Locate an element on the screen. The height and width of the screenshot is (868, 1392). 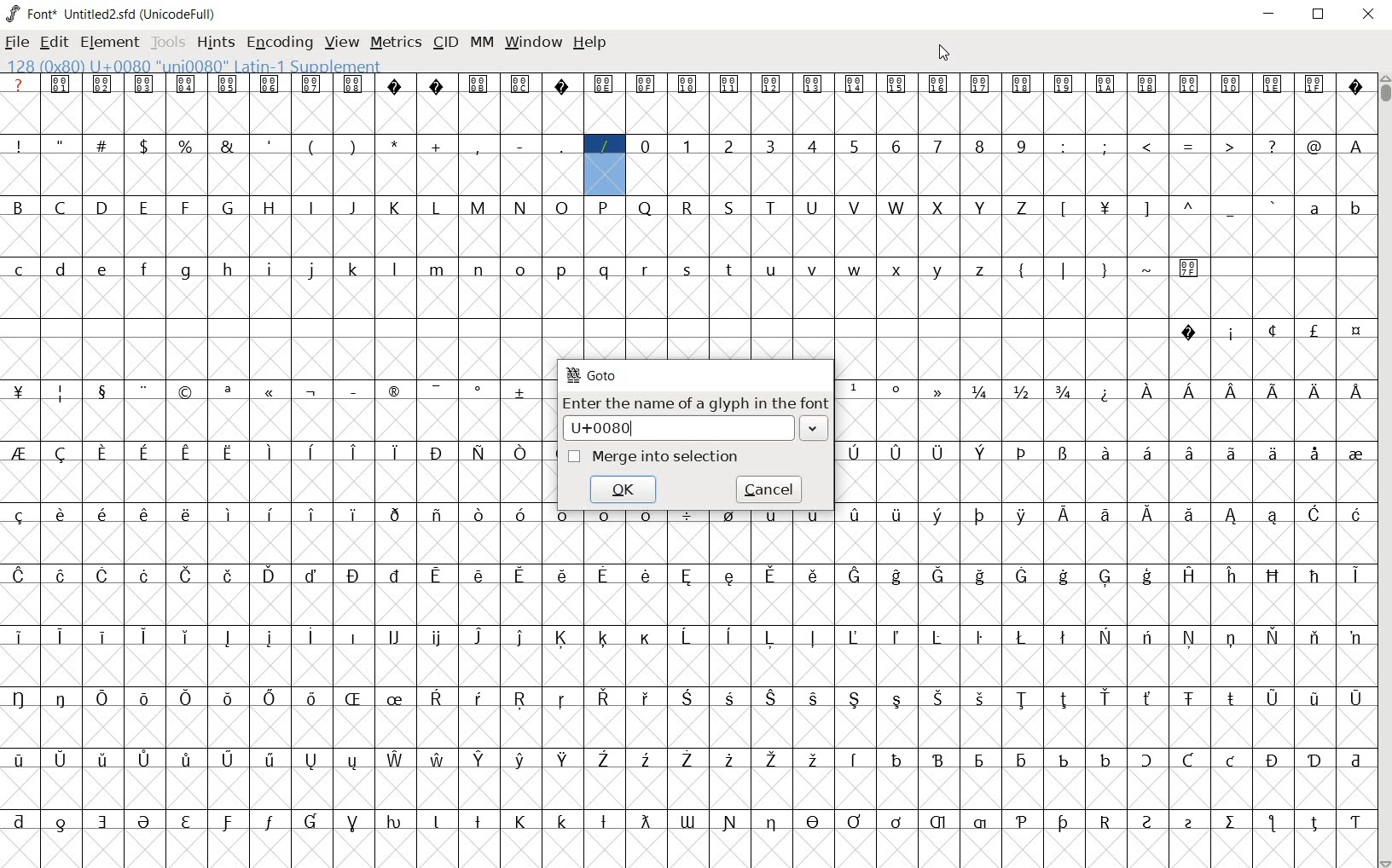
glyph is located at coordinates (355, 269).